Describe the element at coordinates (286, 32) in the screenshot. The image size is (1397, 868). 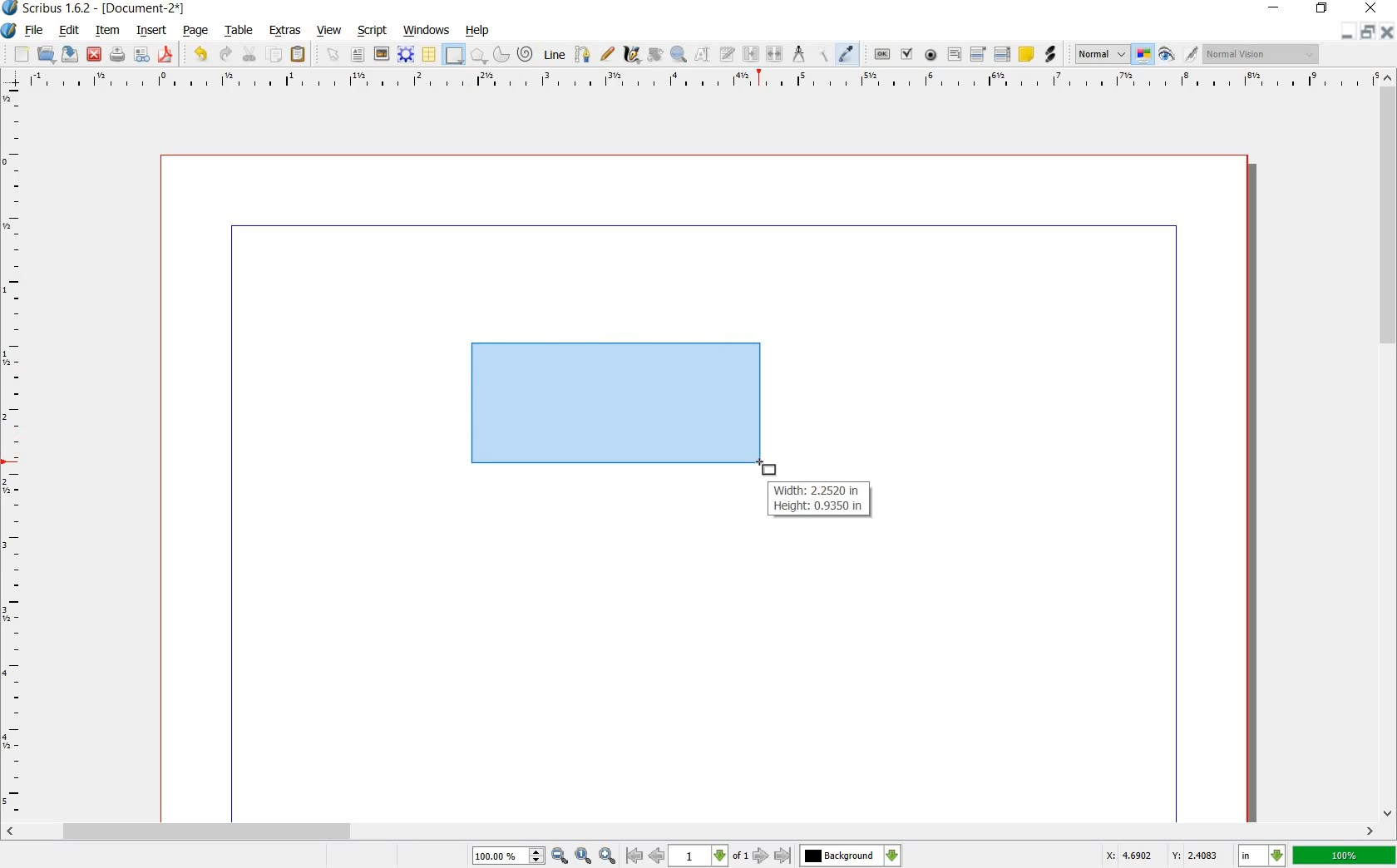
I see `EXTRAS` at that location.